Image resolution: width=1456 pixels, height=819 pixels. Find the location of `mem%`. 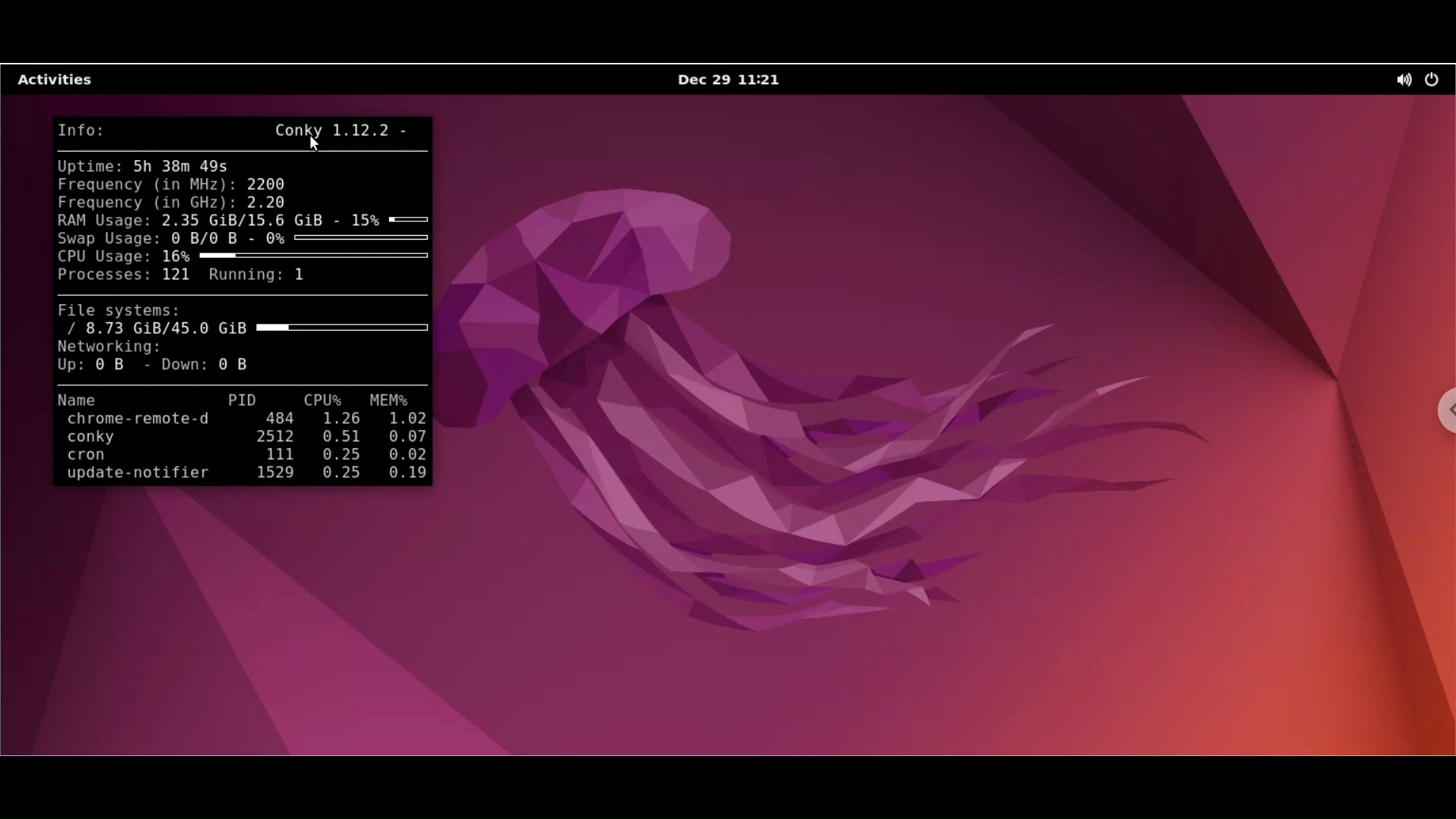

mem% is located at coordinates (392, 401).